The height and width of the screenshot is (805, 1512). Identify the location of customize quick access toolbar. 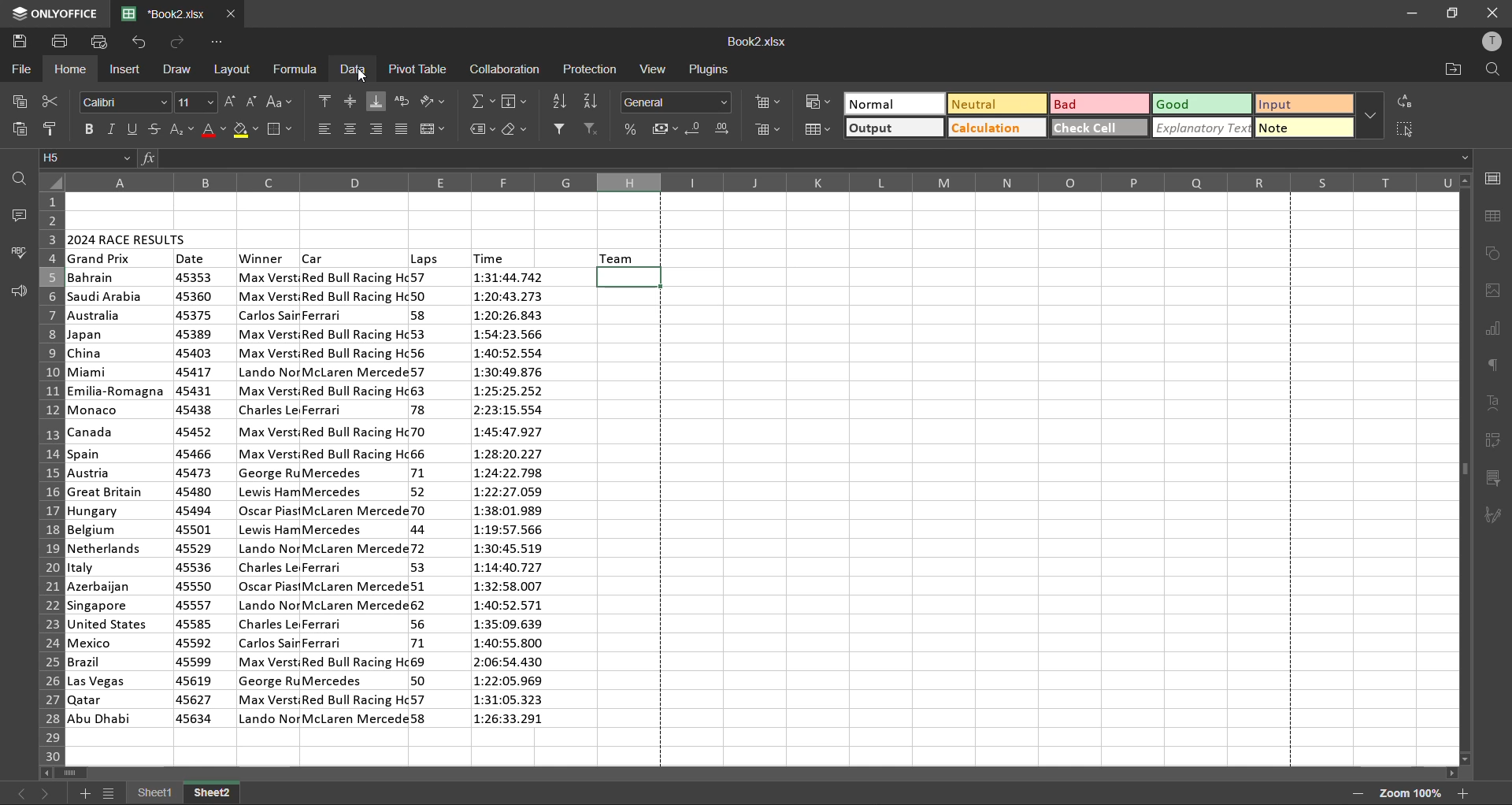
(215, 43).